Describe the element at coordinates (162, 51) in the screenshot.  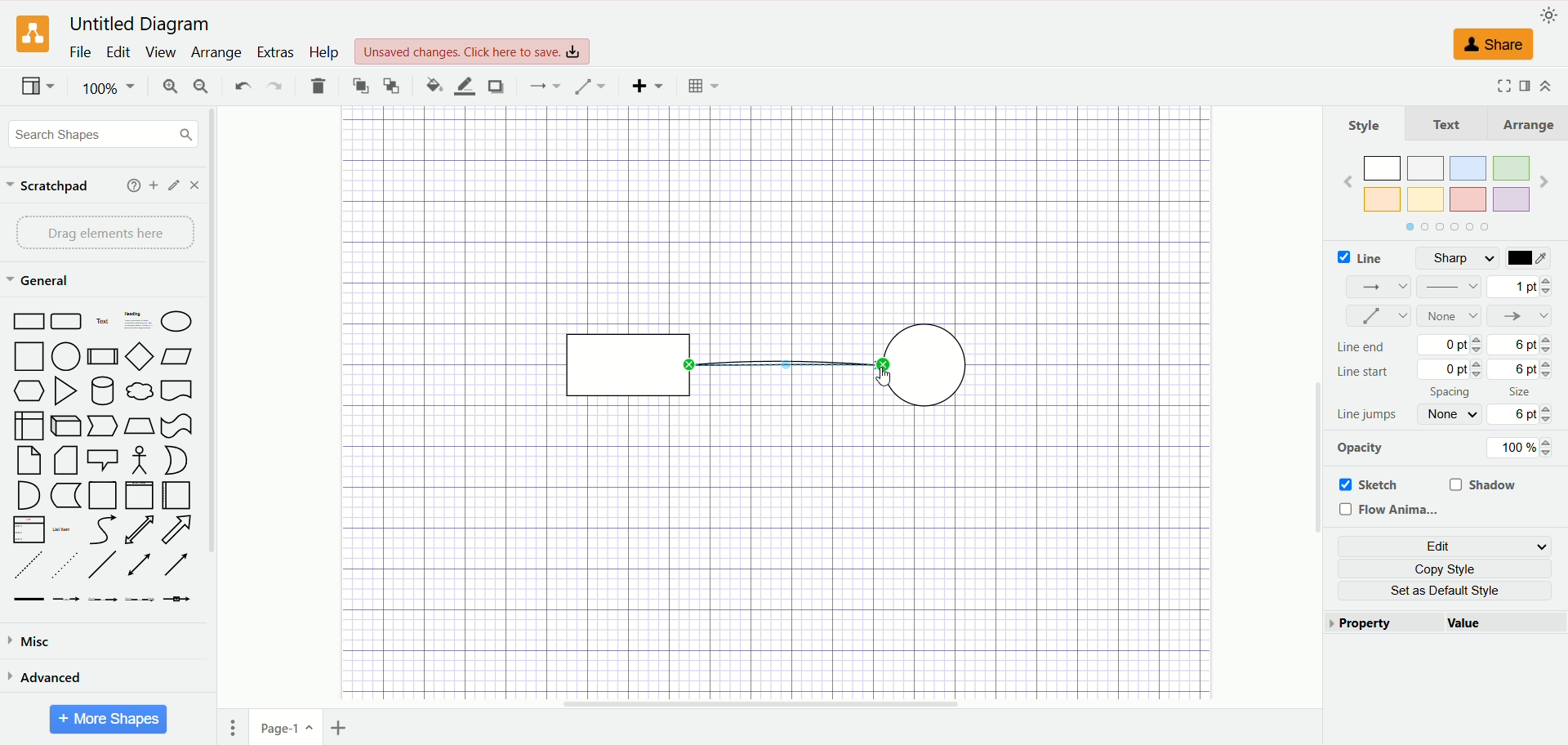
I see `view` at that location.